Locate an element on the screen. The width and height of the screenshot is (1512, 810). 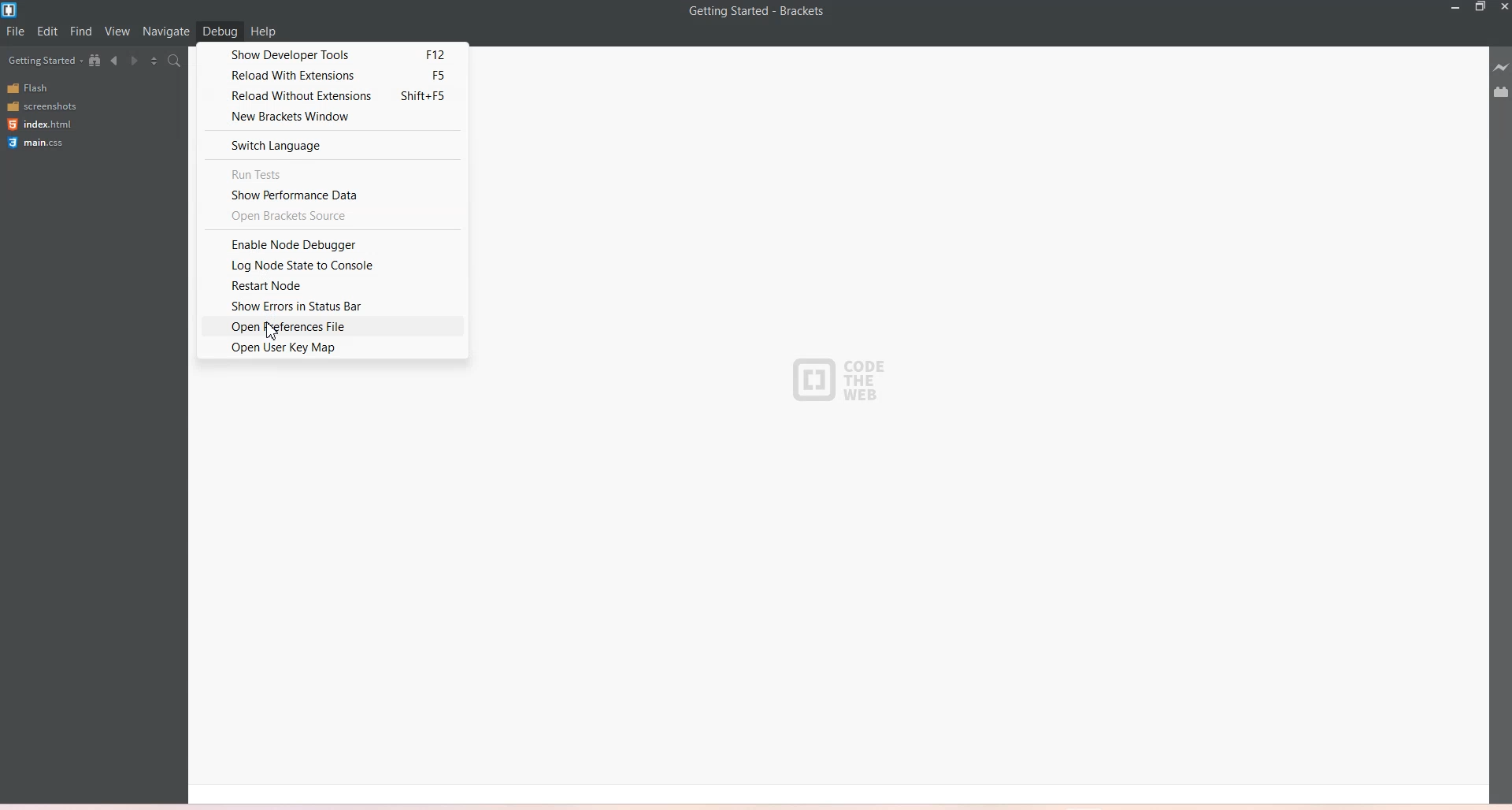
Show developer tools is located at coordinates (332, 53).